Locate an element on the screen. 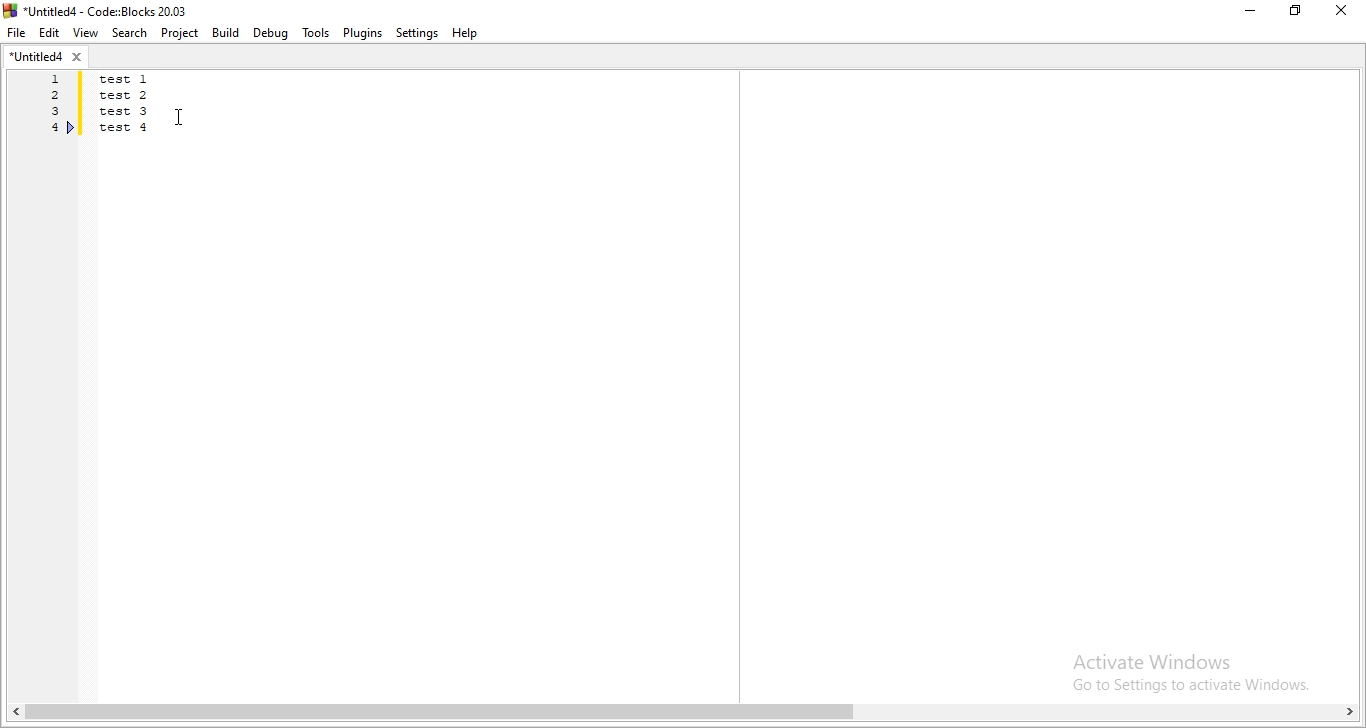 The width and height of the screenshot is (1366, 728). Tools  is located at coordinates (314, 32).